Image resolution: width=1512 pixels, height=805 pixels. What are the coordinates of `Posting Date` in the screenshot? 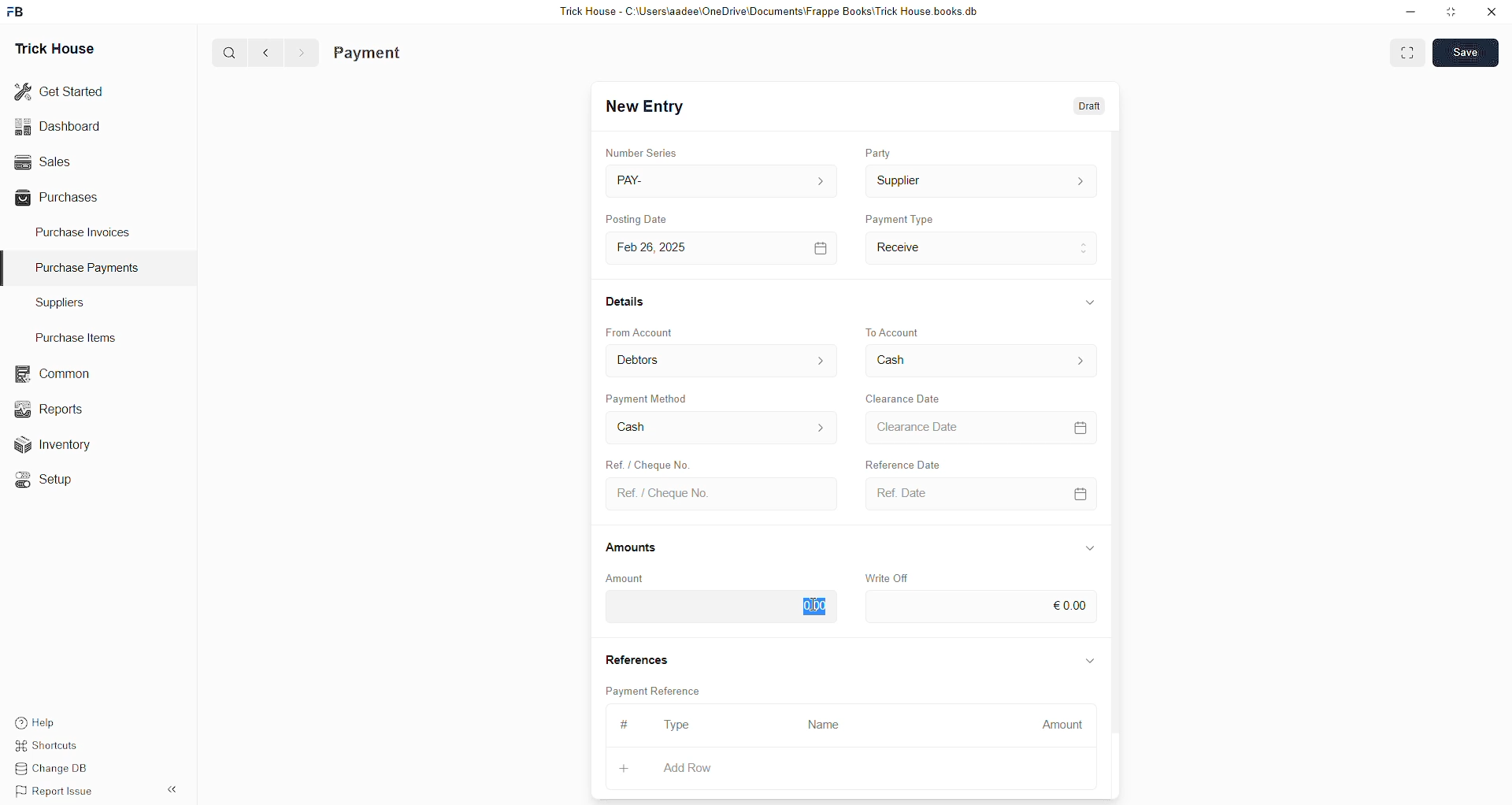 It's located at (648, 217).